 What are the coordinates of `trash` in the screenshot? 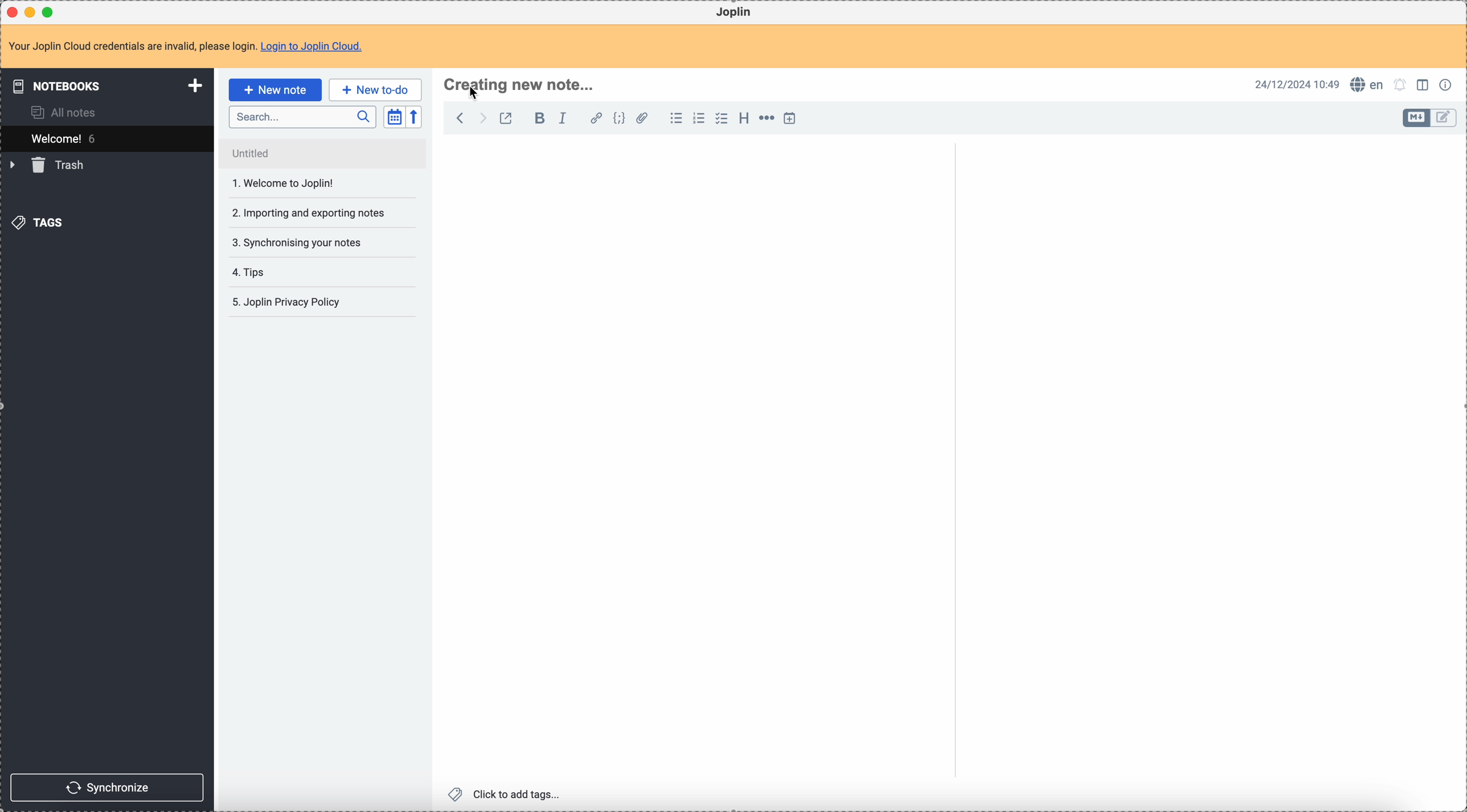 It's located at (50, 166).